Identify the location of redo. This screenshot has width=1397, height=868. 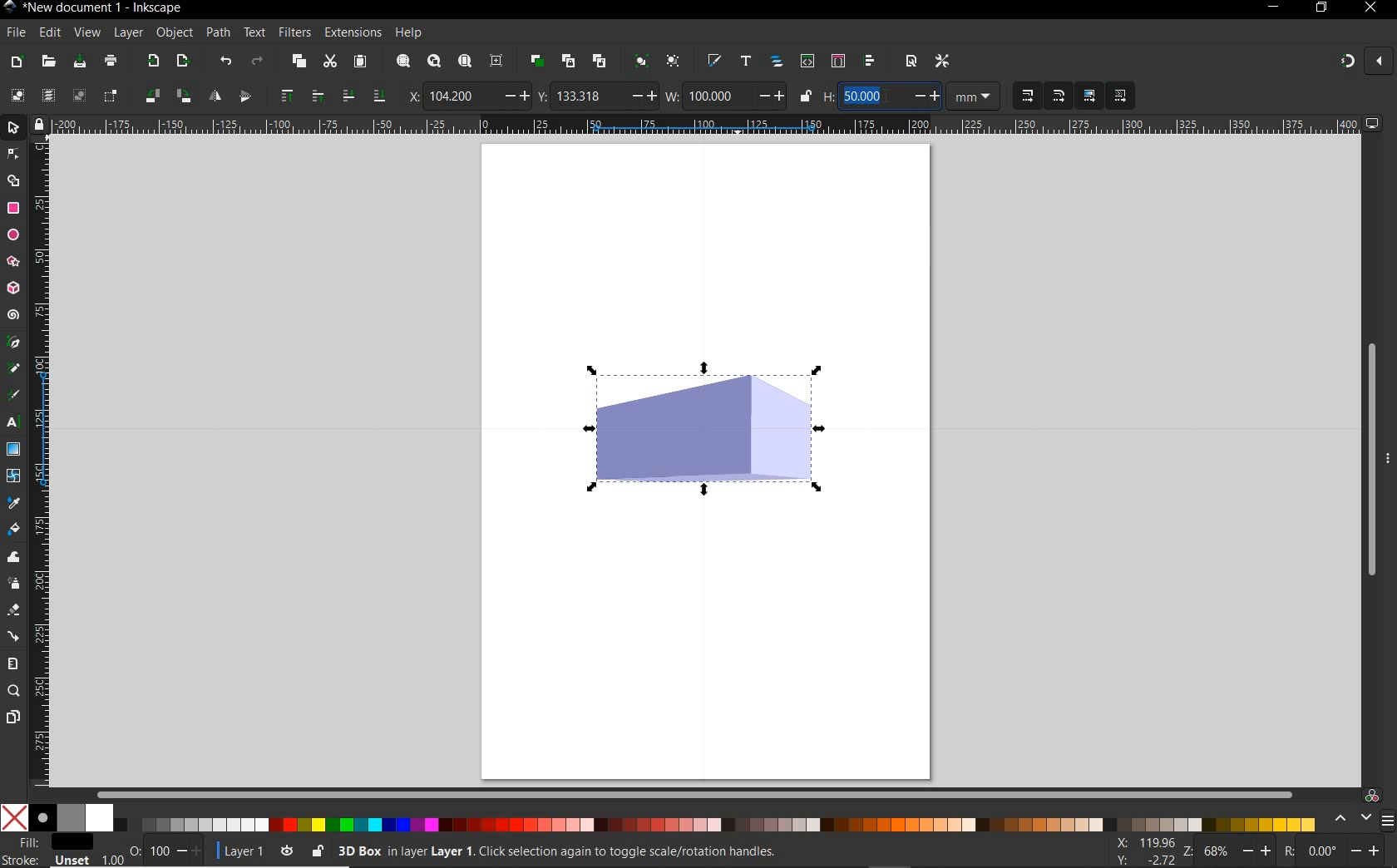
(258, 60).